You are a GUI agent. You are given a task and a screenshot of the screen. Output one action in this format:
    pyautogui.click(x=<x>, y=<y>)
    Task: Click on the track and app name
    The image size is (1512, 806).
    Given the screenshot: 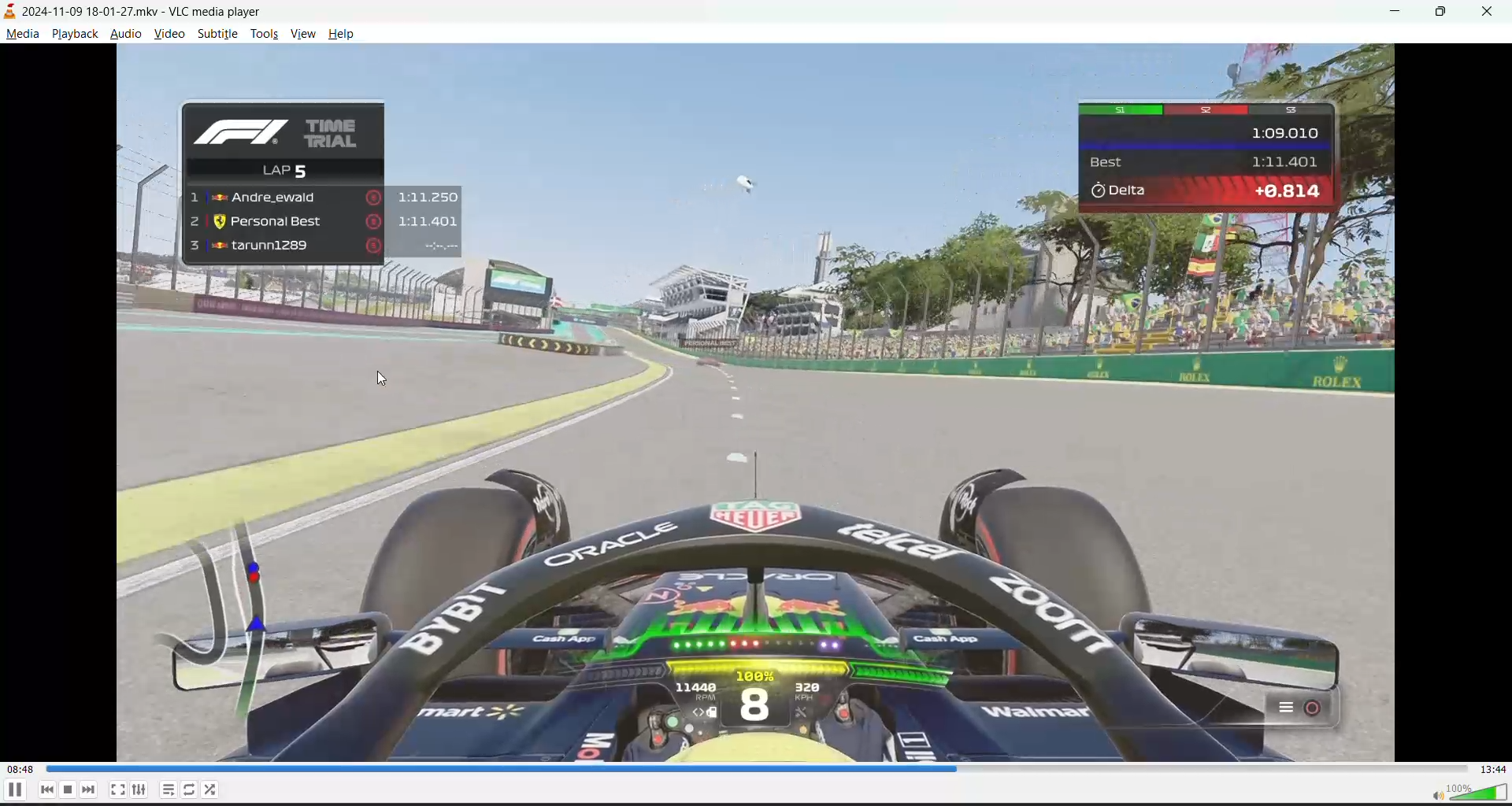 What is the action you would take?
    pyautogui.click(x=139, y=12)
    